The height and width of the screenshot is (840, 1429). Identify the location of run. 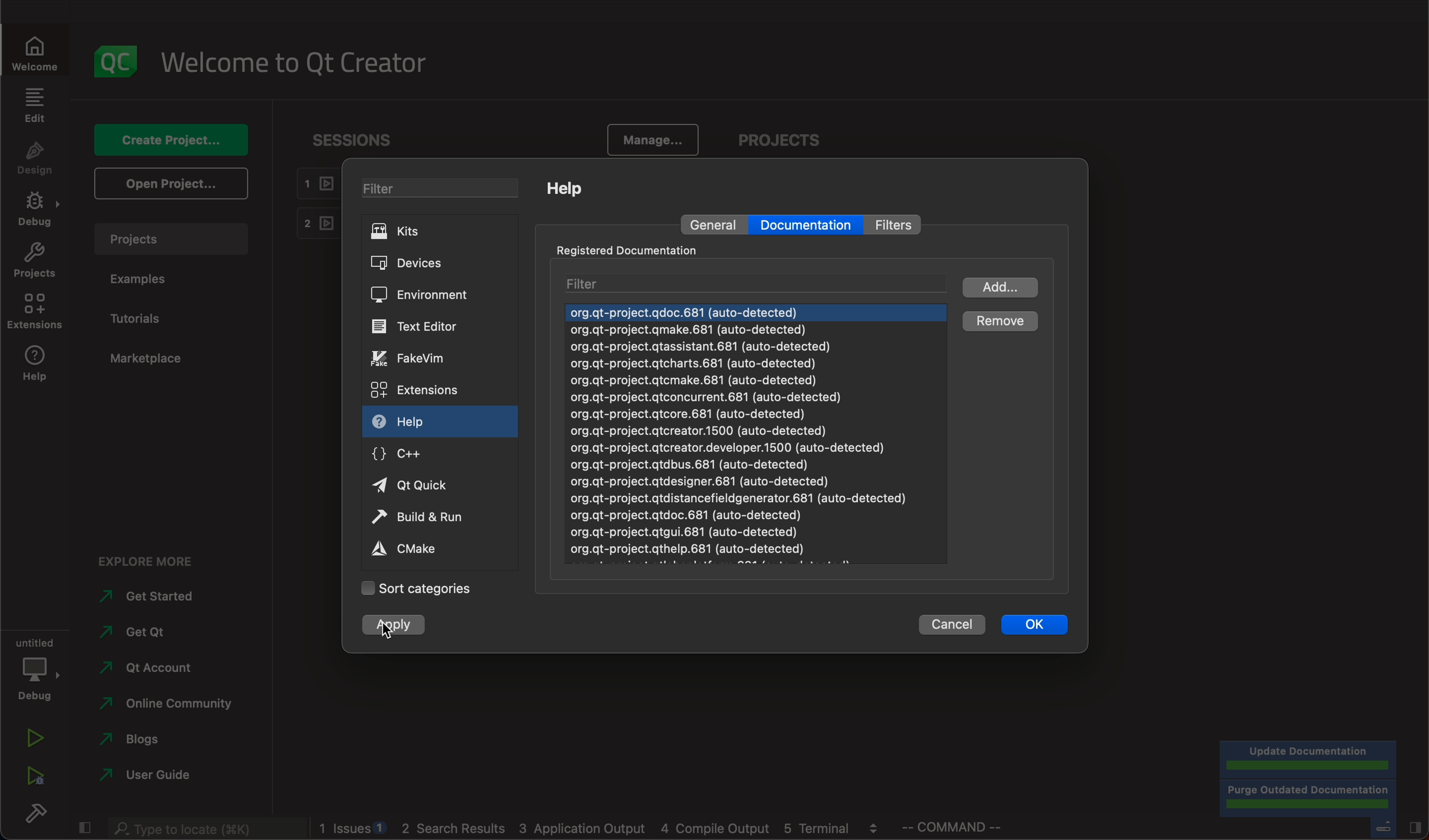
(423, 515).